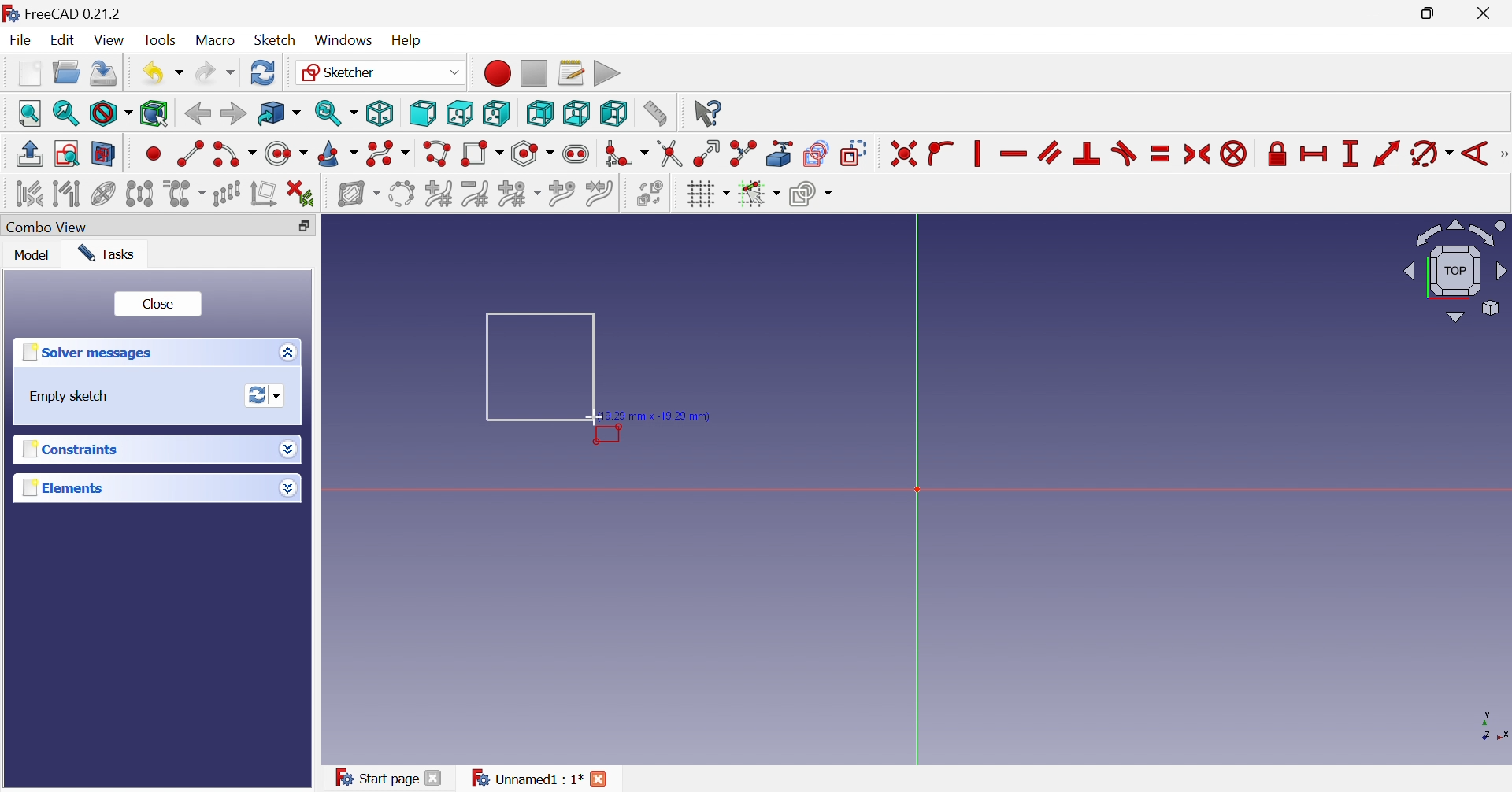  I want to click on Decrease B-spline degree, so click(475, 194).